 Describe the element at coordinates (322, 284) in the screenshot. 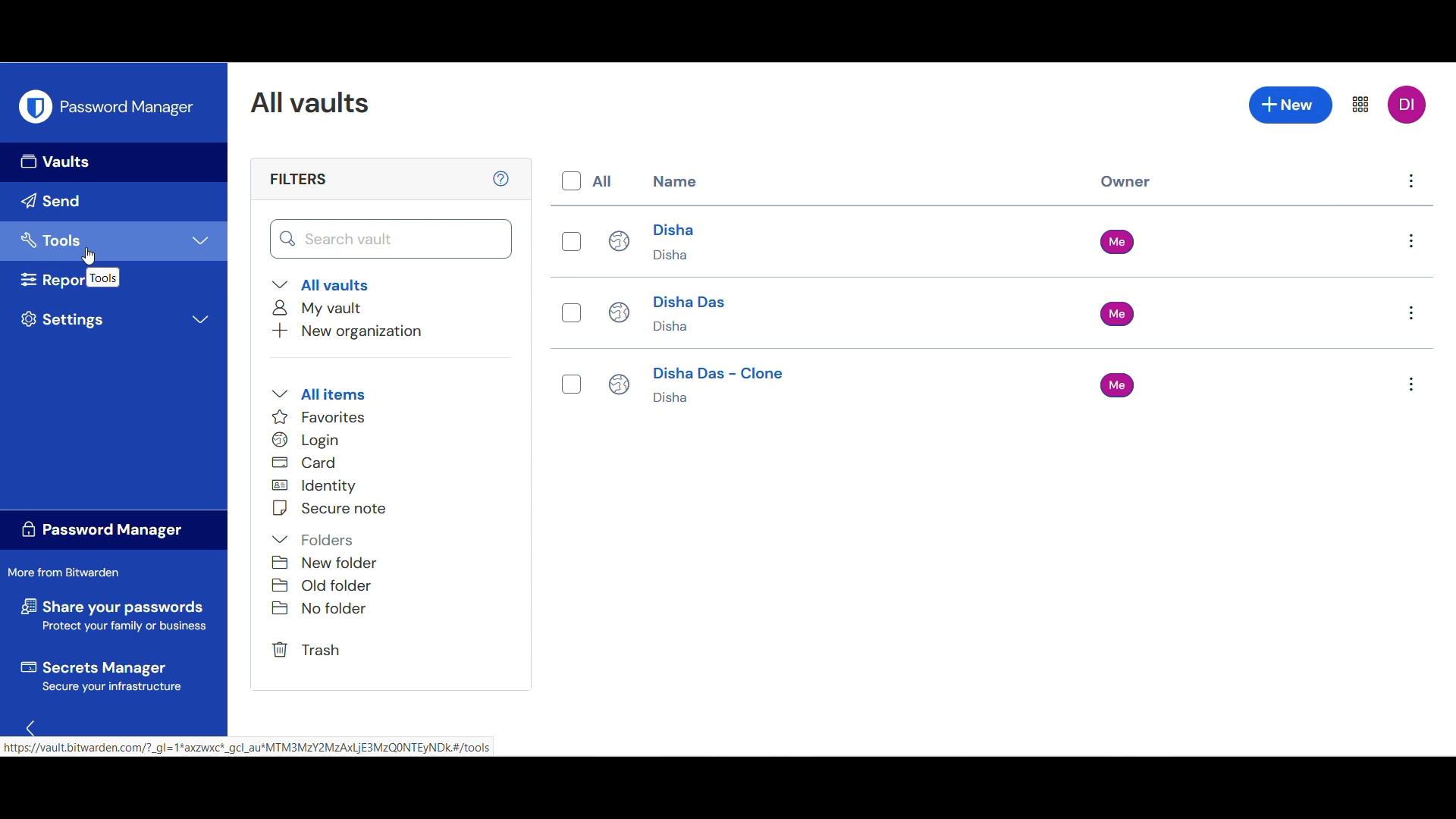

I see `Collapse all vaults` at that location.